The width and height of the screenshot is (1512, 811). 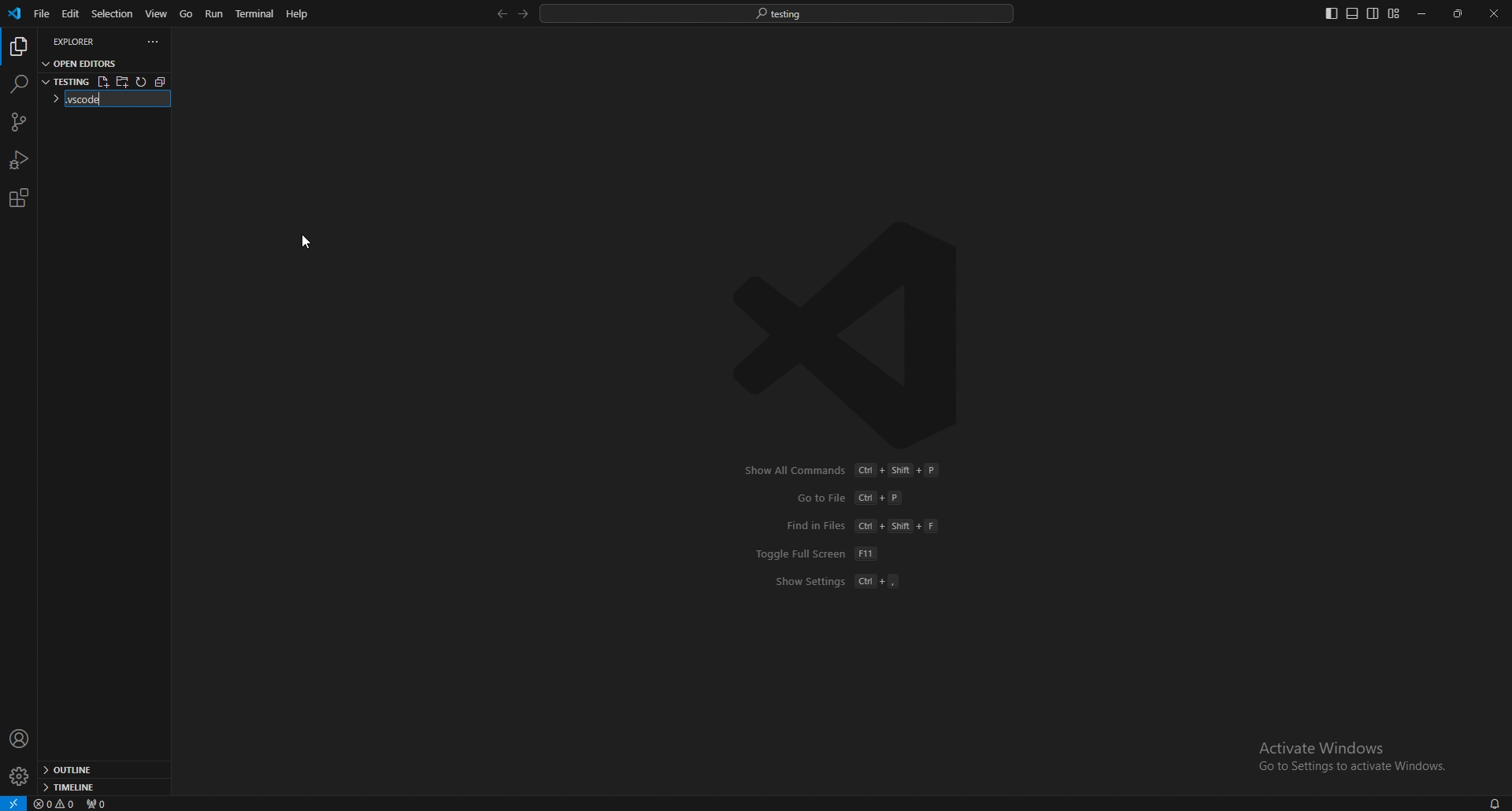 What do you see at coordinates (1362, 13) in the screenshot?
I see `editor layouts` at bounding box center [1362, 13].